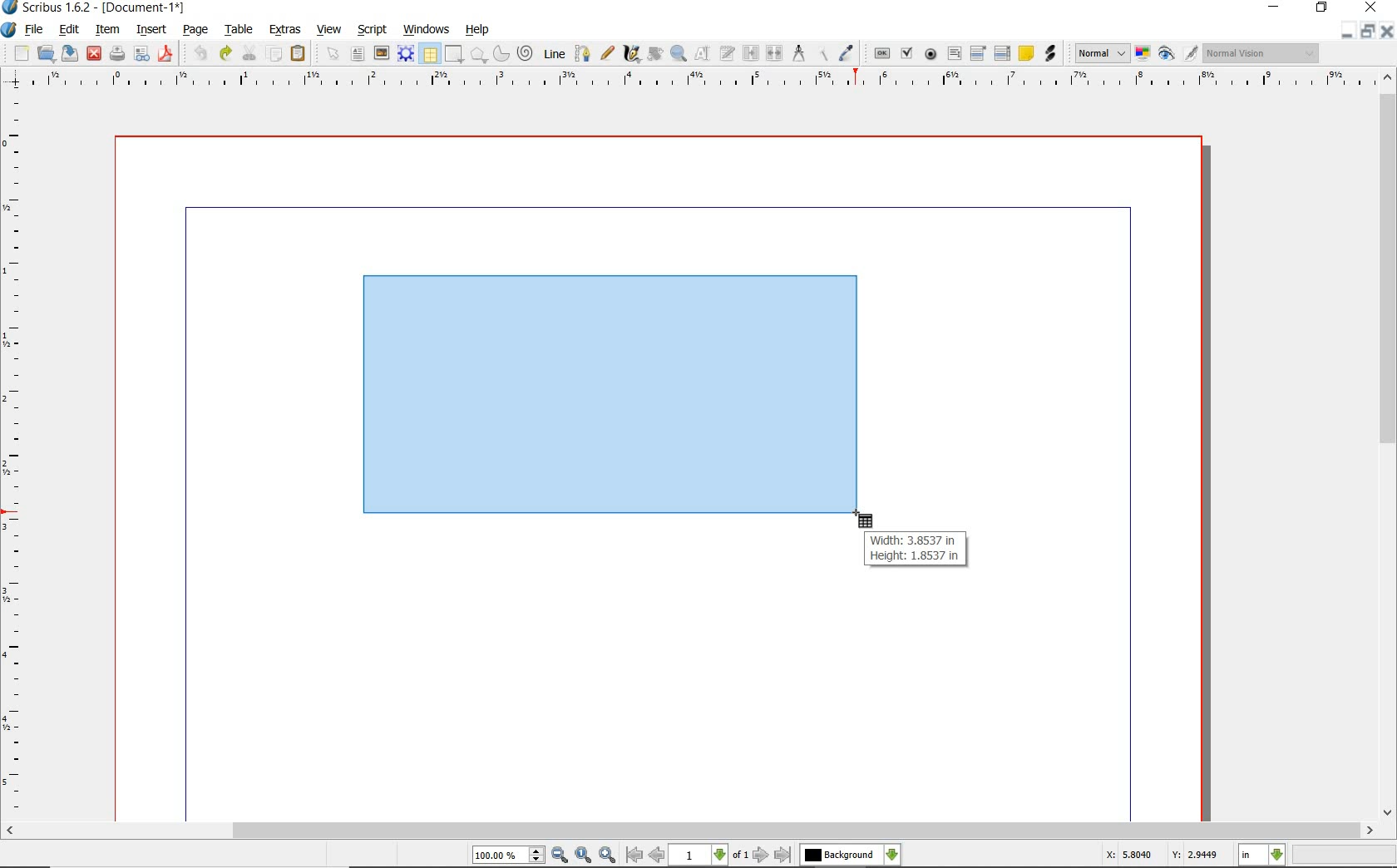 Image resolution: width=1397 pixels, height=868 pixels. Describe the element at coordinates (452, 55) in the screenshot. I see `shape` at that location.